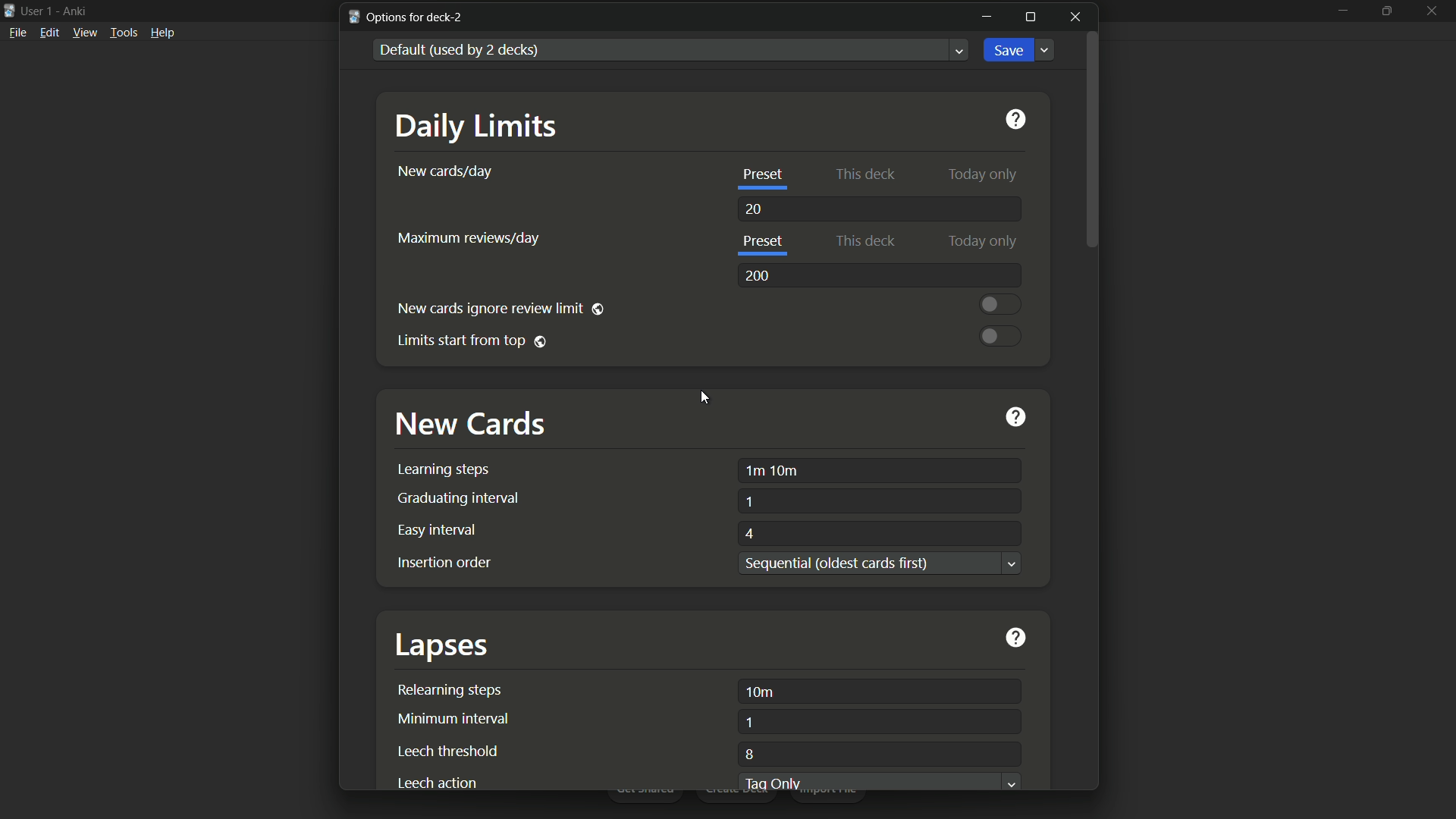 The height and width of the screenshot is (819, 1456). What do you see at coordinates (472, 340) in the screenshot?
I see `limit starts from top` at bounding box center [472, 340].